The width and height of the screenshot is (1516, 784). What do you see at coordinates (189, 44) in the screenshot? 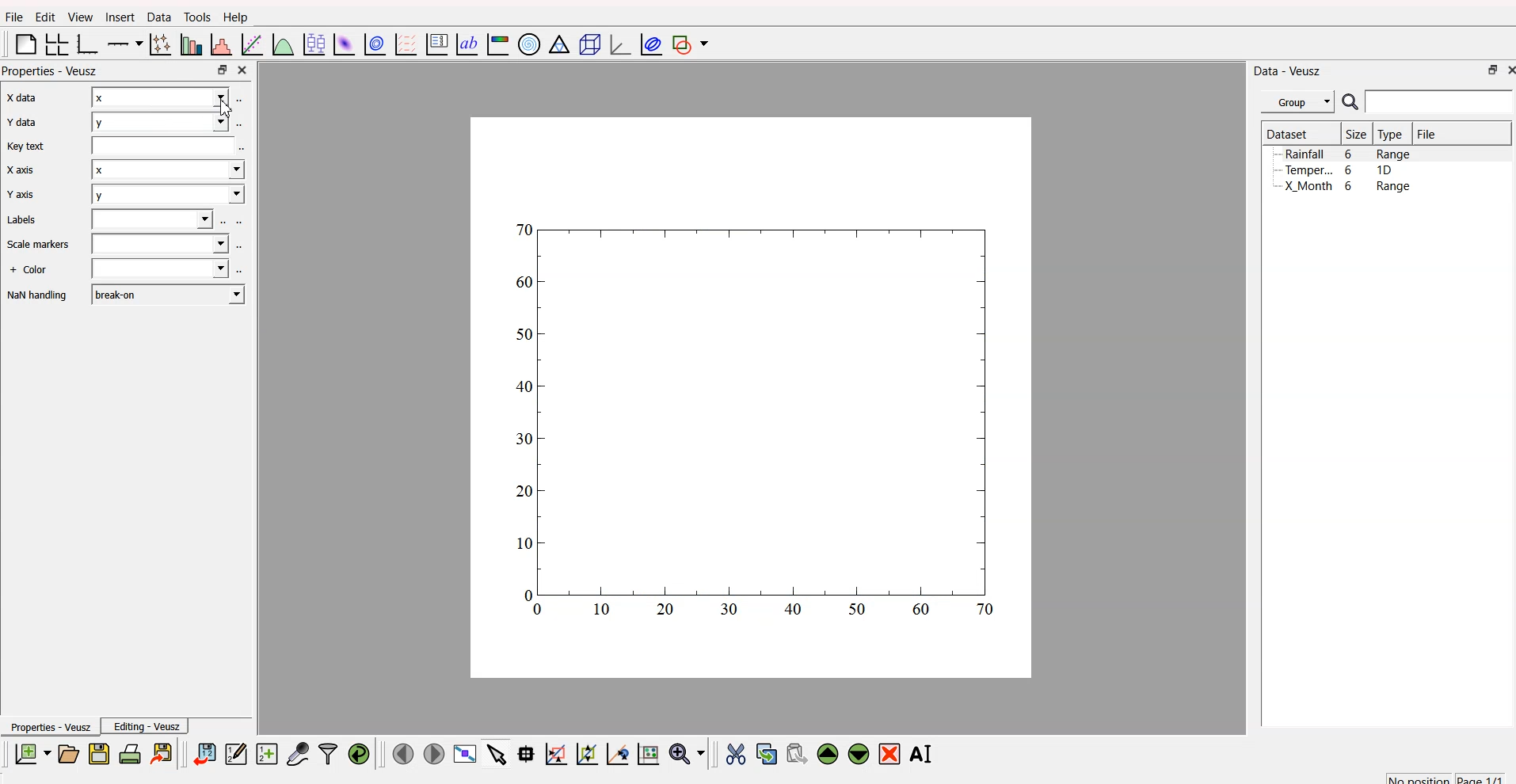
I see `plot bar chart` at bounding box center [189, 44].